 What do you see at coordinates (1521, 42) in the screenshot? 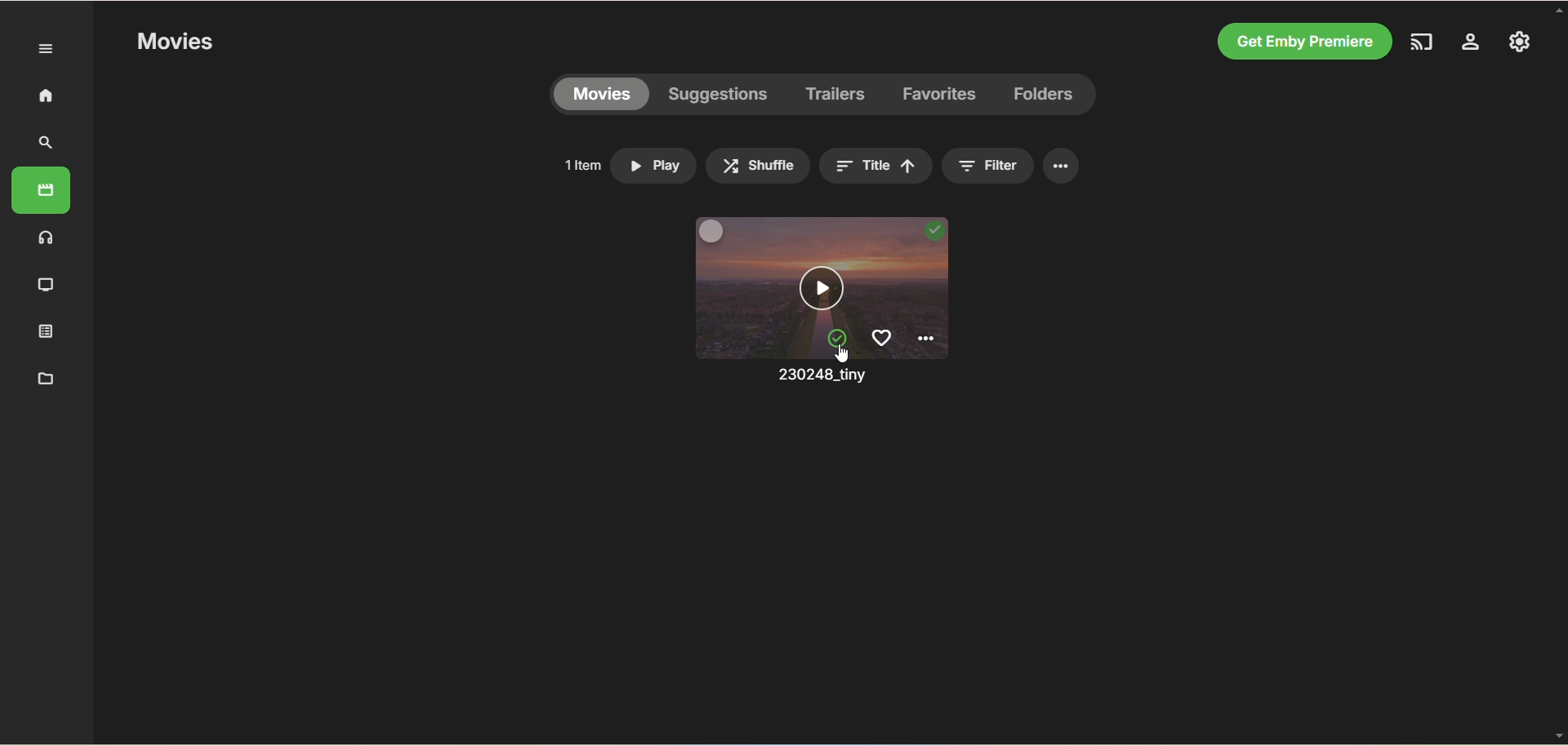
I see `settings` at bounding box center [1521, 42].